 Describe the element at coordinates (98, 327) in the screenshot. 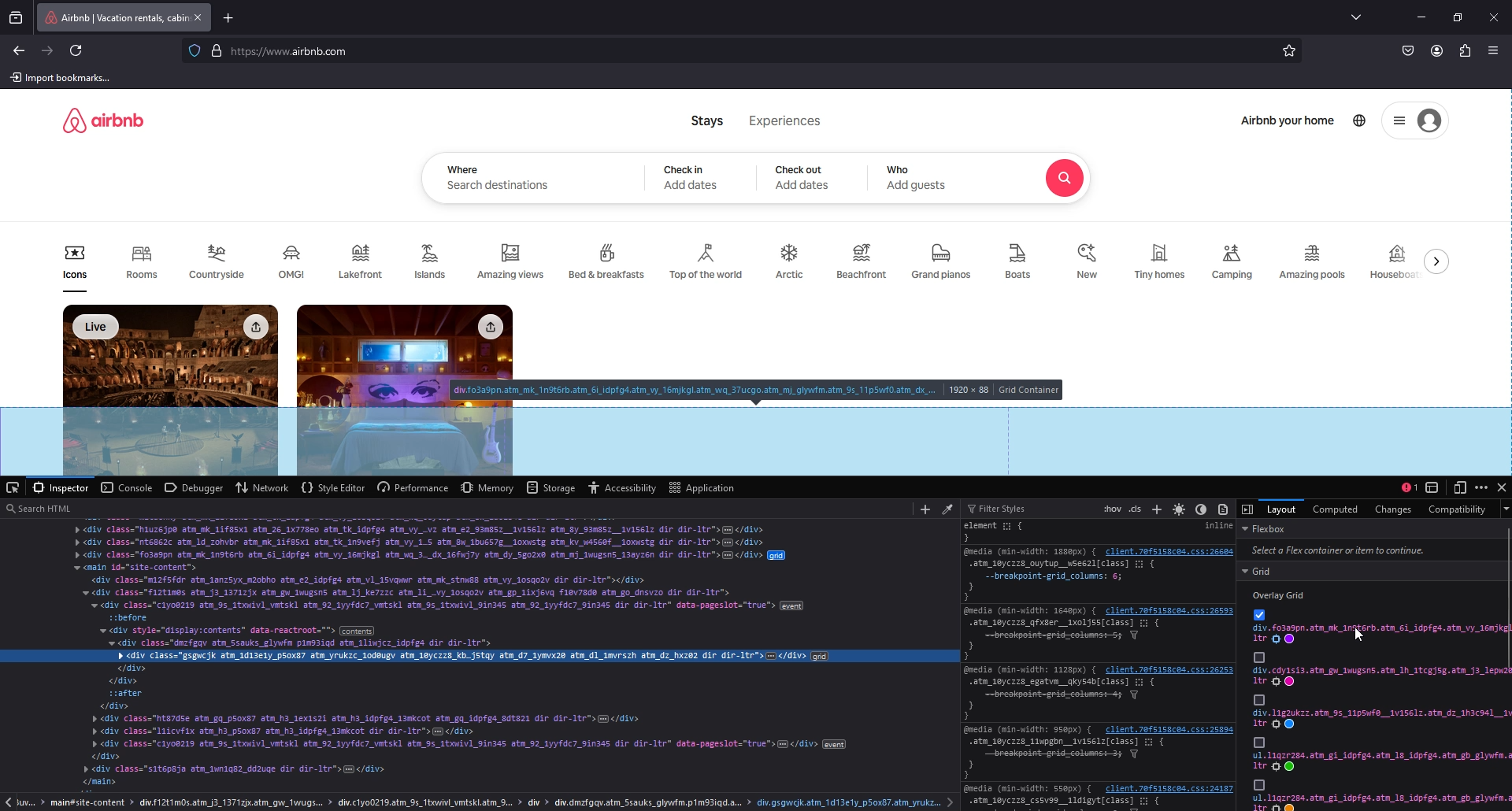

I see `live` at that location.